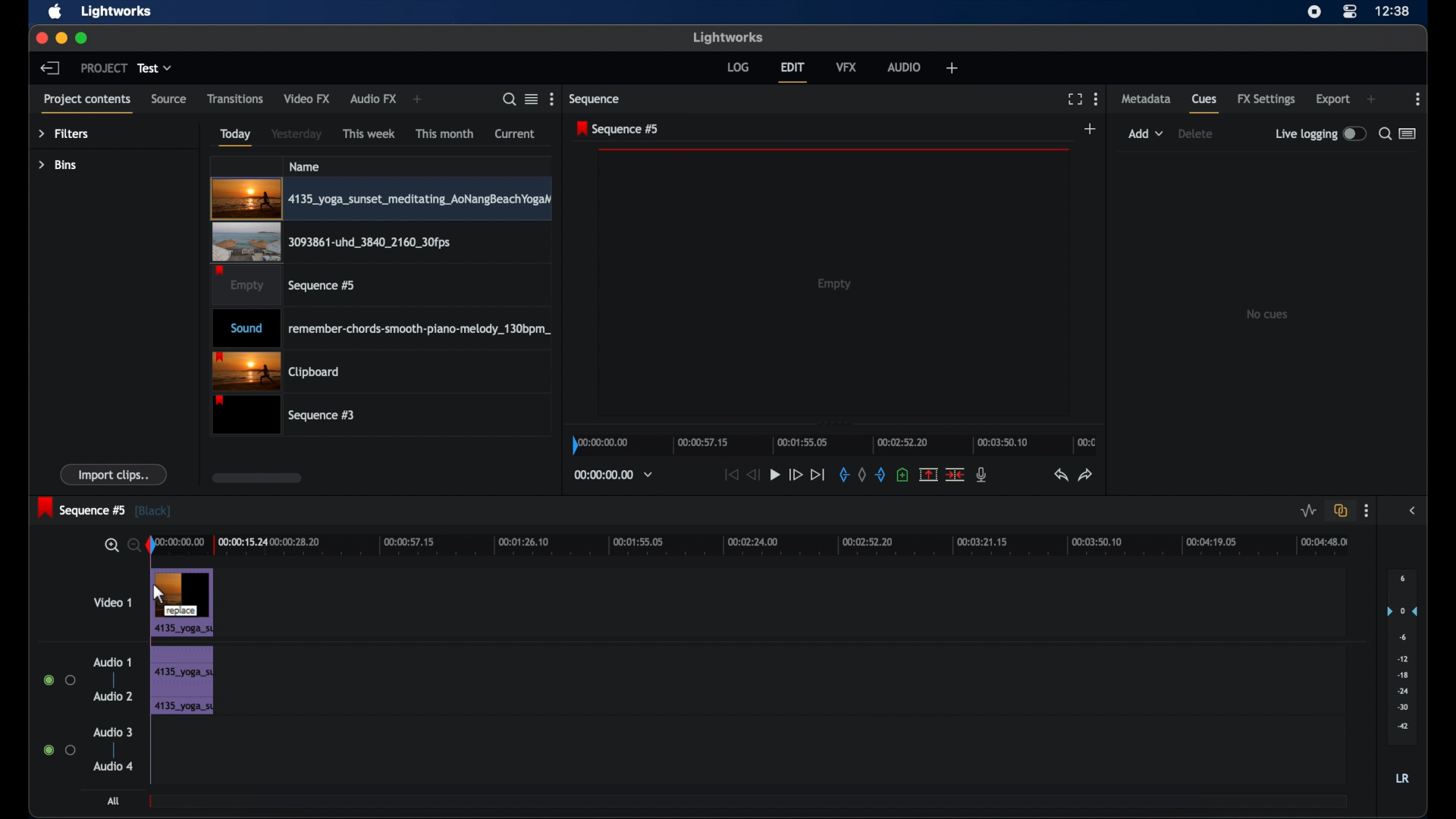 The height and width of the screenshot is (819, 1456). What do you see at coordinates (1414, 510) in the screenshot?
I see `side bar` at bounding box center [1414, 510].